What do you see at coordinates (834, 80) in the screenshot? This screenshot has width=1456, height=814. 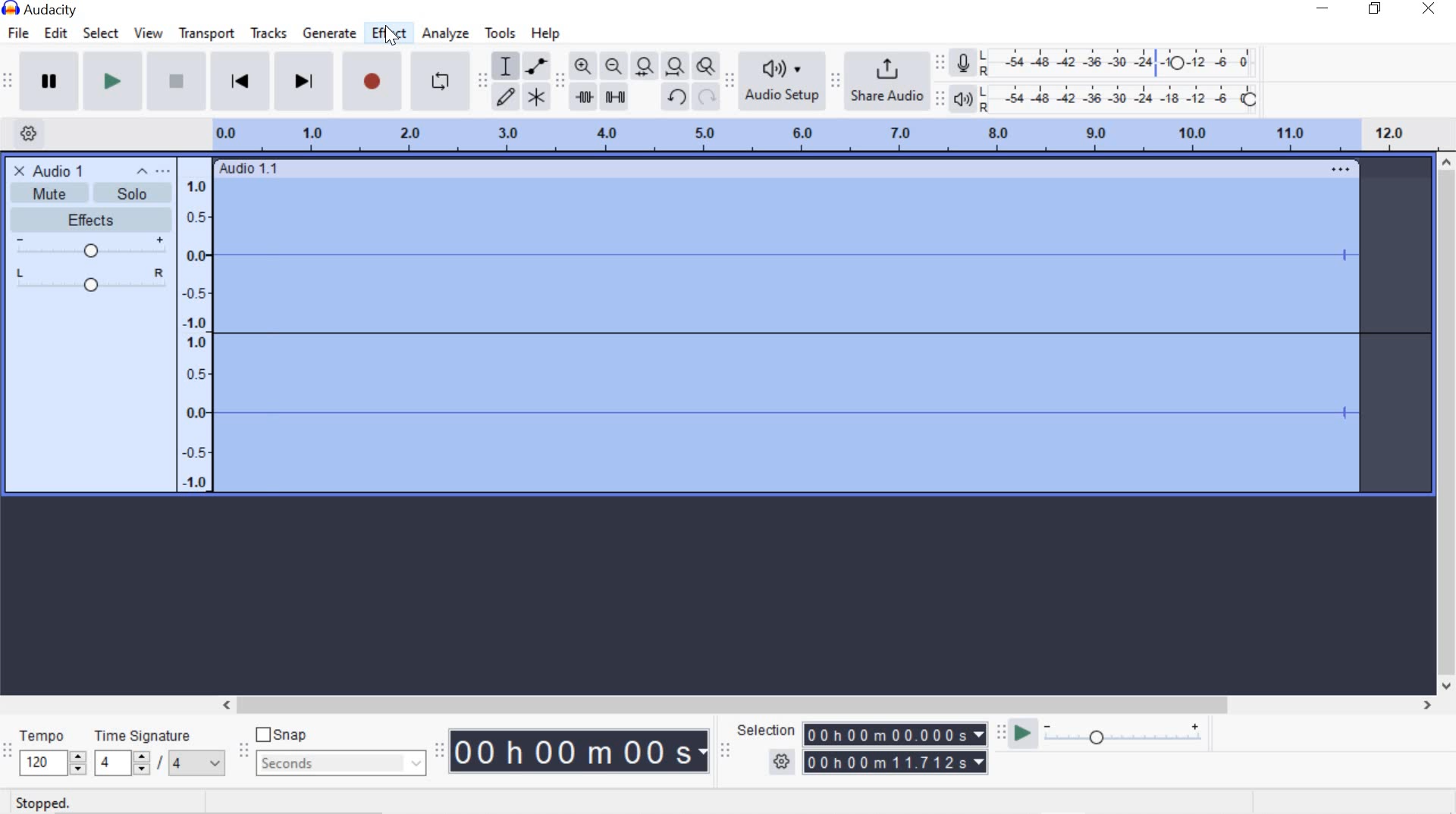 I see `Share audio toolbar` at bounding box center [834, 80].